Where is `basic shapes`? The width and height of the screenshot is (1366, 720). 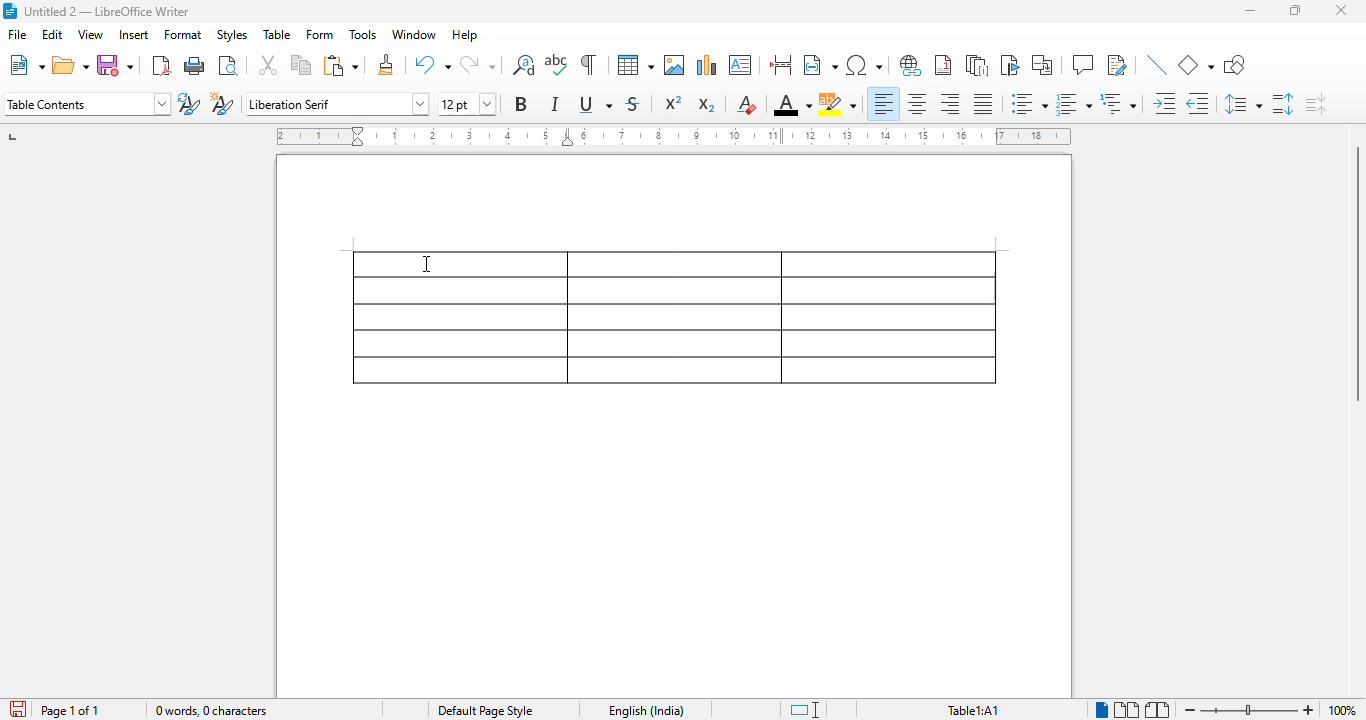
basic shapes is located at coordinates (1195, 65).